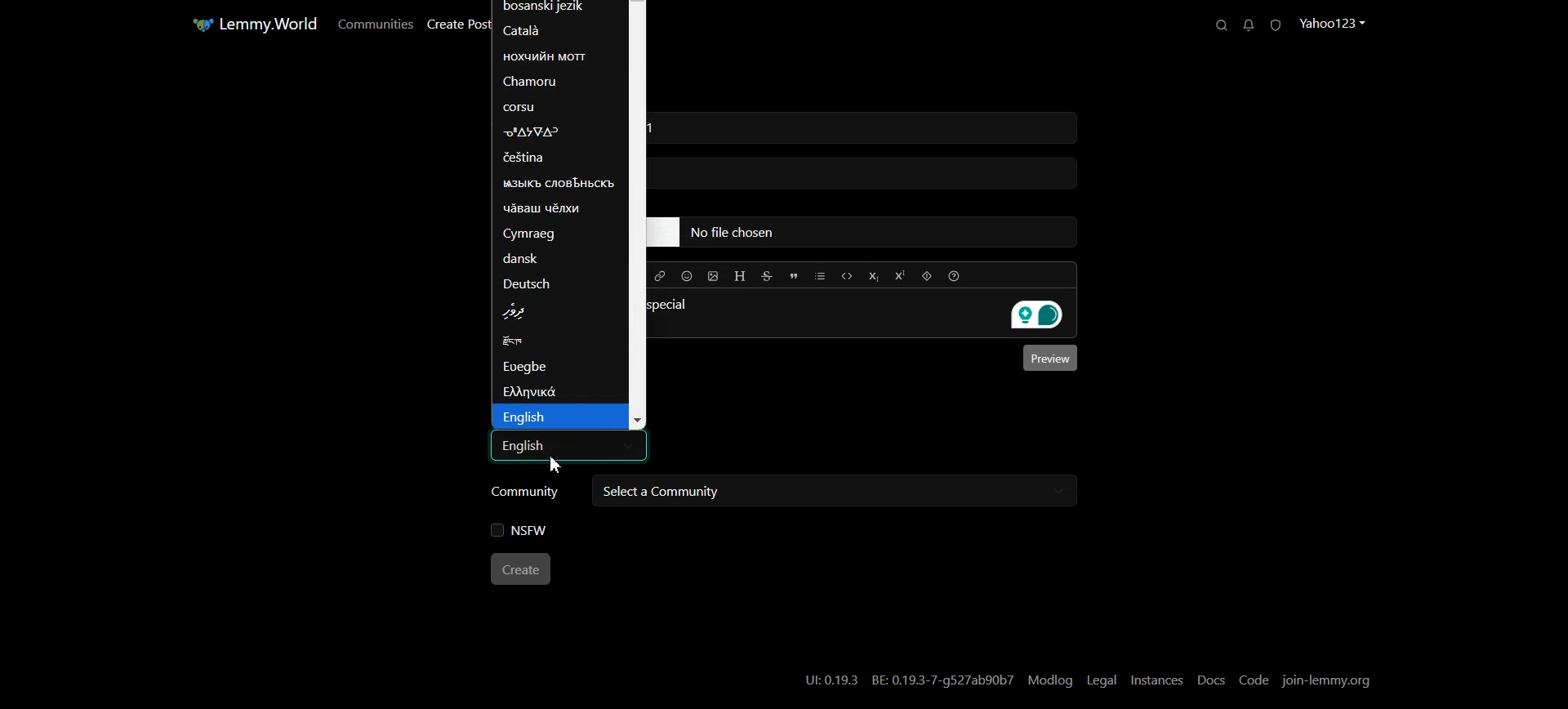 The height and width of the screenshot is (709, 1568). What do you see at coordinates (866, 127) in the screenshot?
I see `typing field` at bounding box center [866, 127].